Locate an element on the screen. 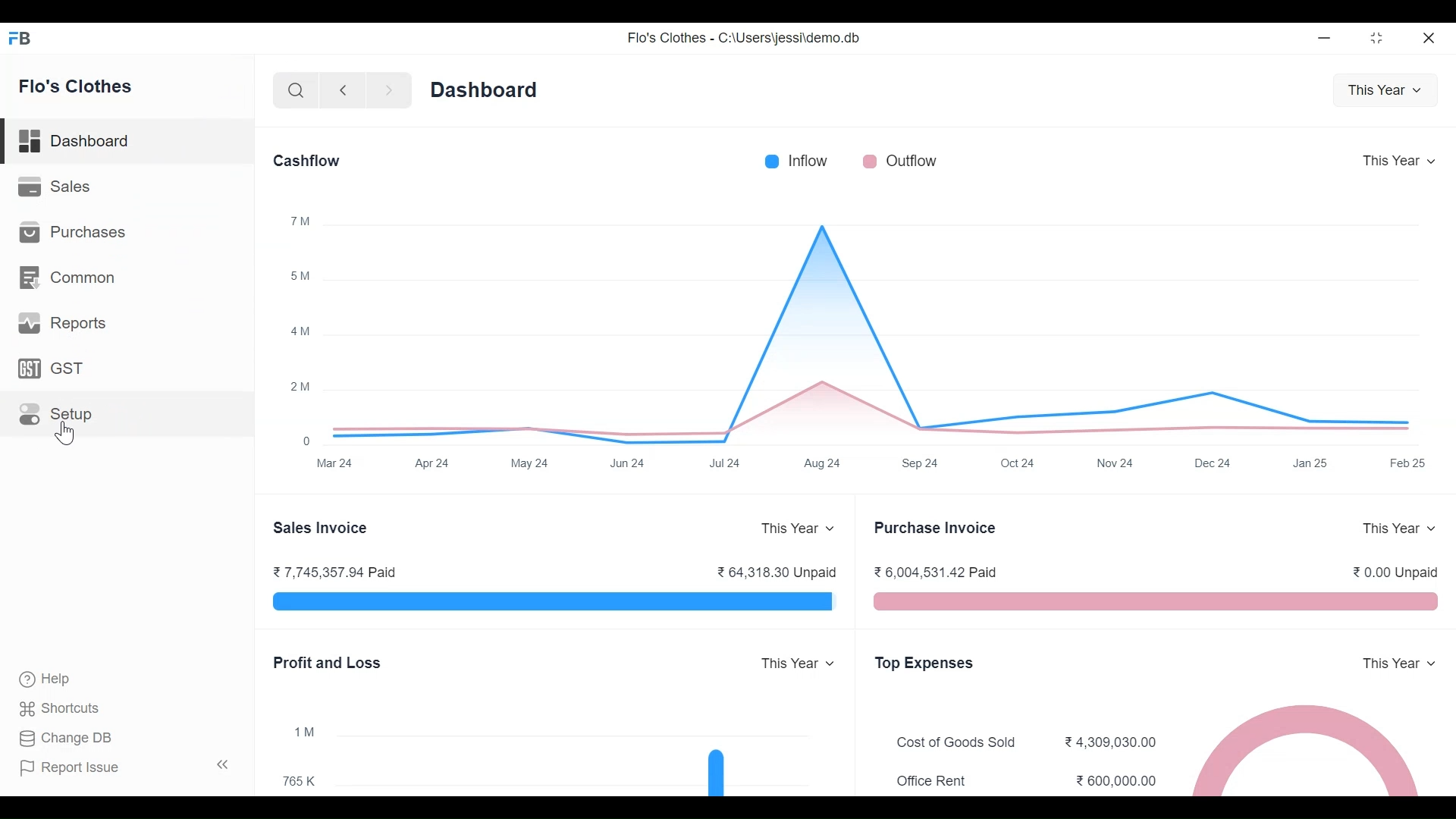 This screenshot has height=819, width=1456. Minimize is located at coordinates (1322, 37).